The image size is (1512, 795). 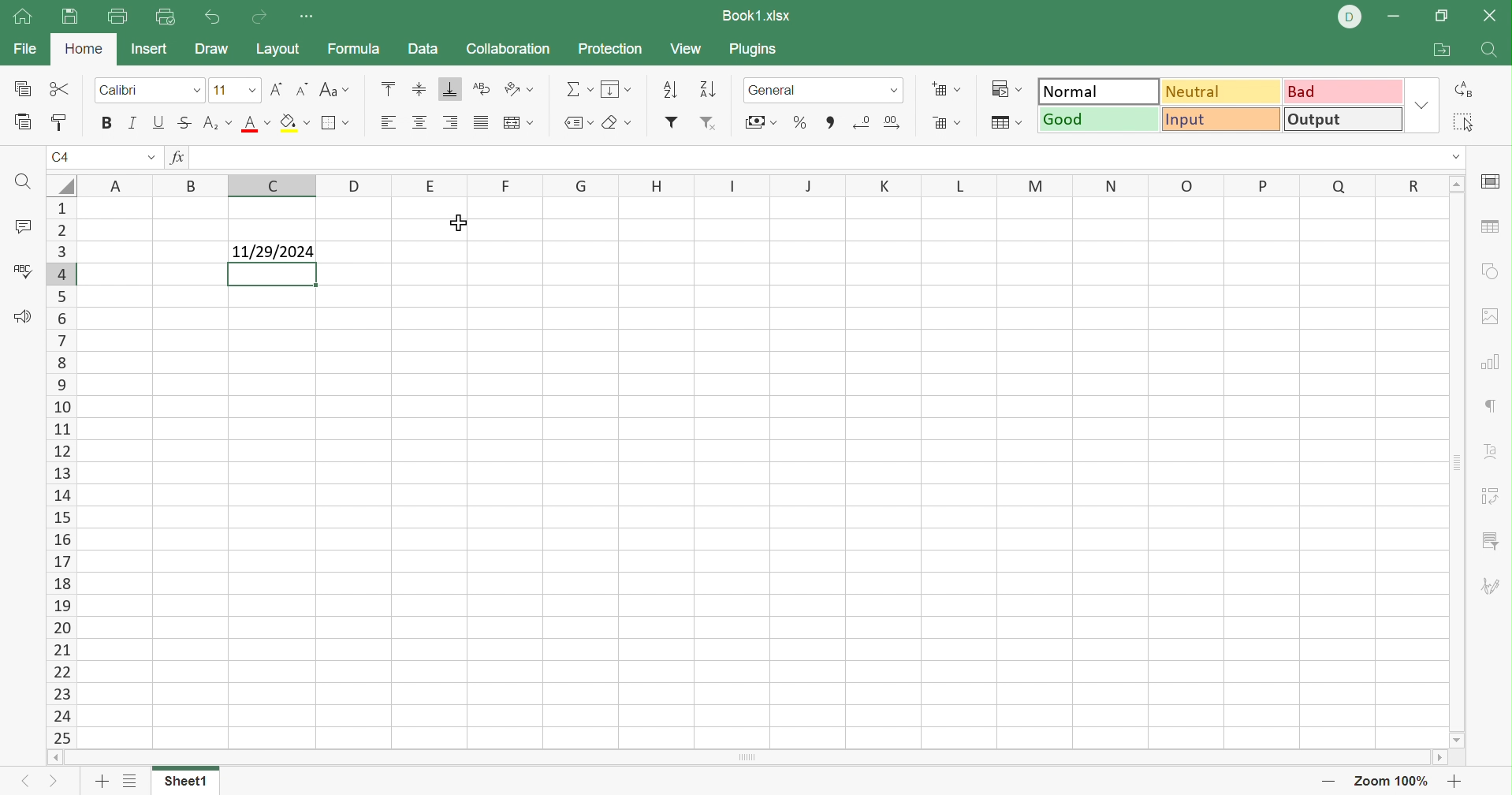 I want to click on Pivot Table settings, so click(x=1492, y=498).